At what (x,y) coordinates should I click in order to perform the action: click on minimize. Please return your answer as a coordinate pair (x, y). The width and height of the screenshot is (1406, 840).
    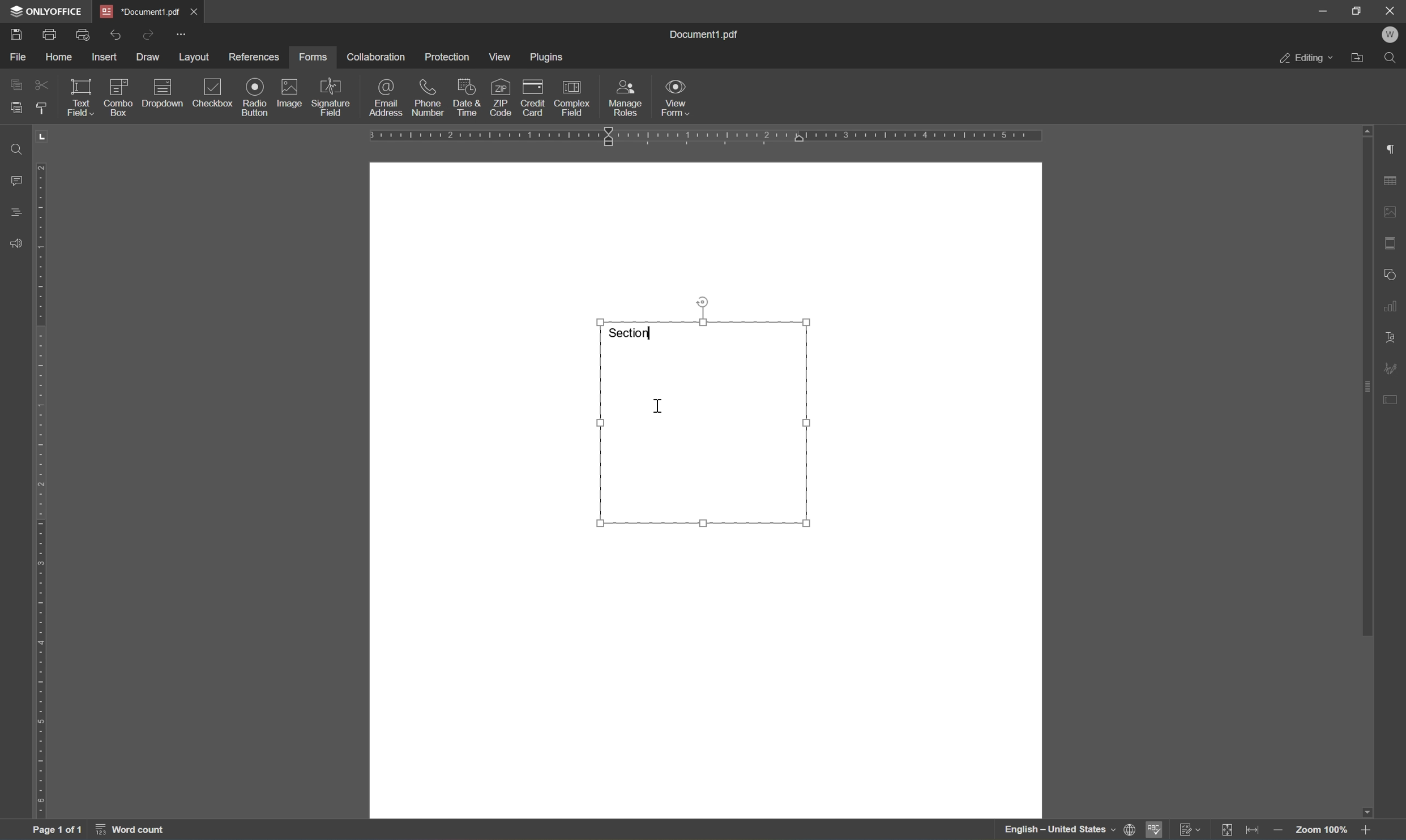
    Looking at the image, I should click on (1323, 10).